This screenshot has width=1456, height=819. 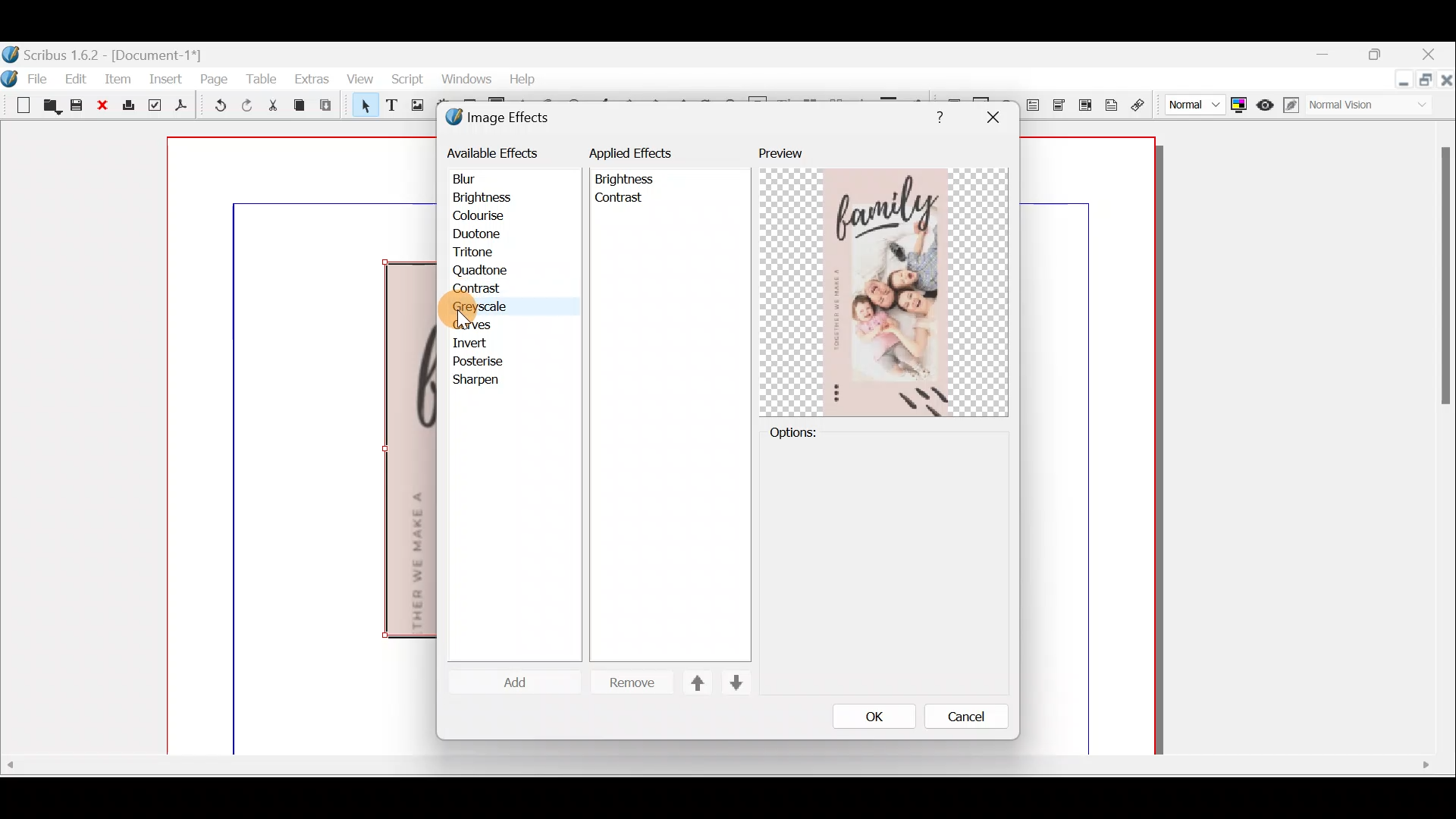 What do you see at coordinates (413, 105) in the screenshot?
I see `Image frame` at bounding box center [413, 105].